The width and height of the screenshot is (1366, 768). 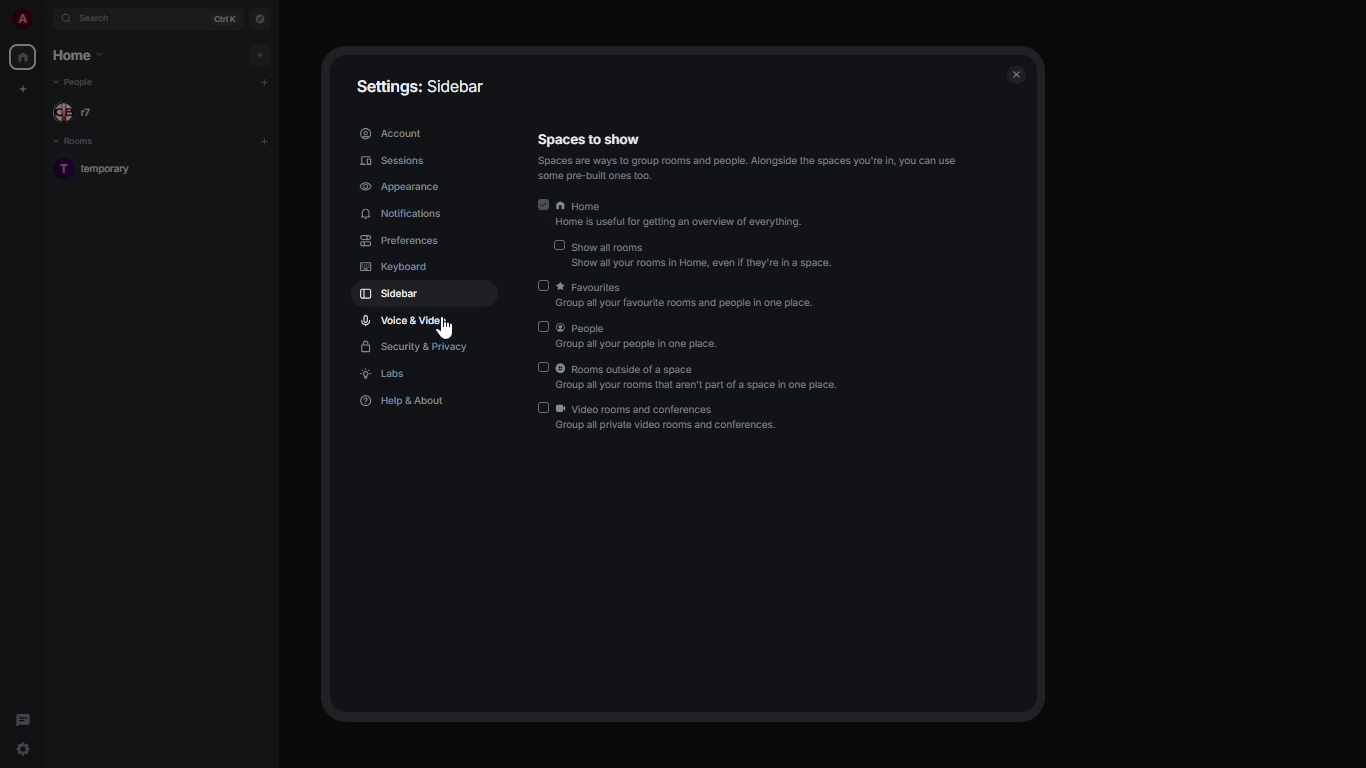 What do you see at coordinates (401, 214) in the screenshot?
I see `notifications` at bounding box center [401, 214].